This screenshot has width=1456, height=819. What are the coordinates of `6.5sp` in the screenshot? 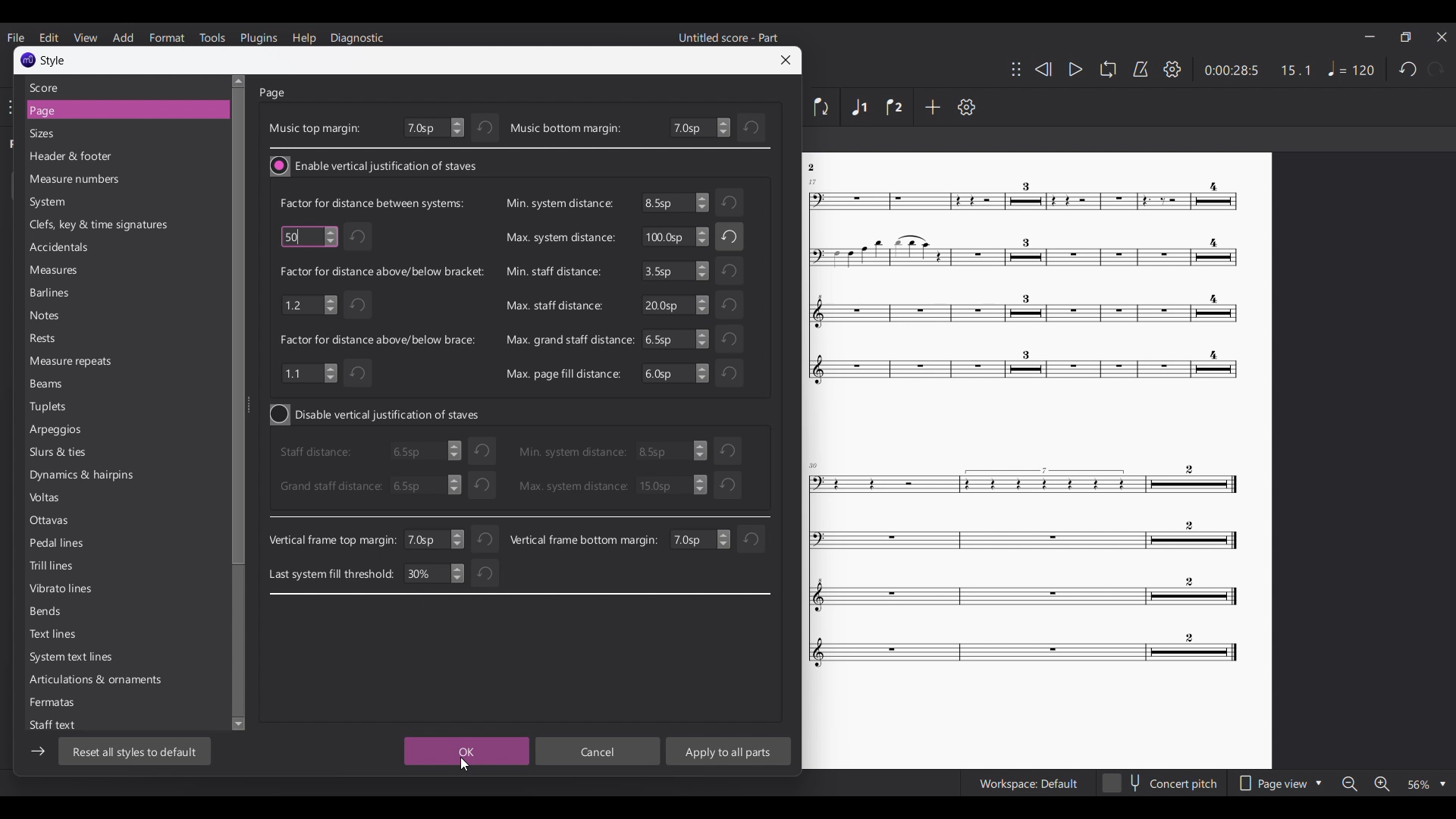 It's located at (676, 202).